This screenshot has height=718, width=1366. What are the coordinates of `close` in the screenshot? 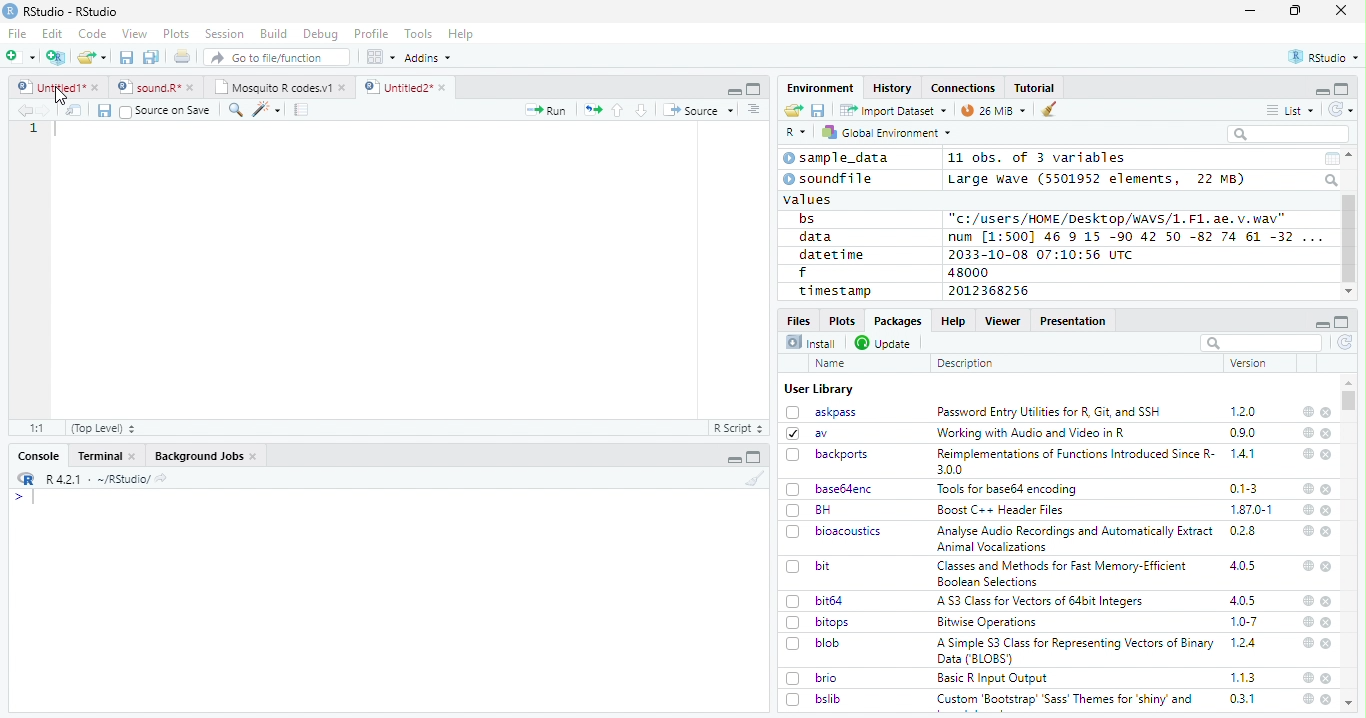 It's located at (1327, 678).